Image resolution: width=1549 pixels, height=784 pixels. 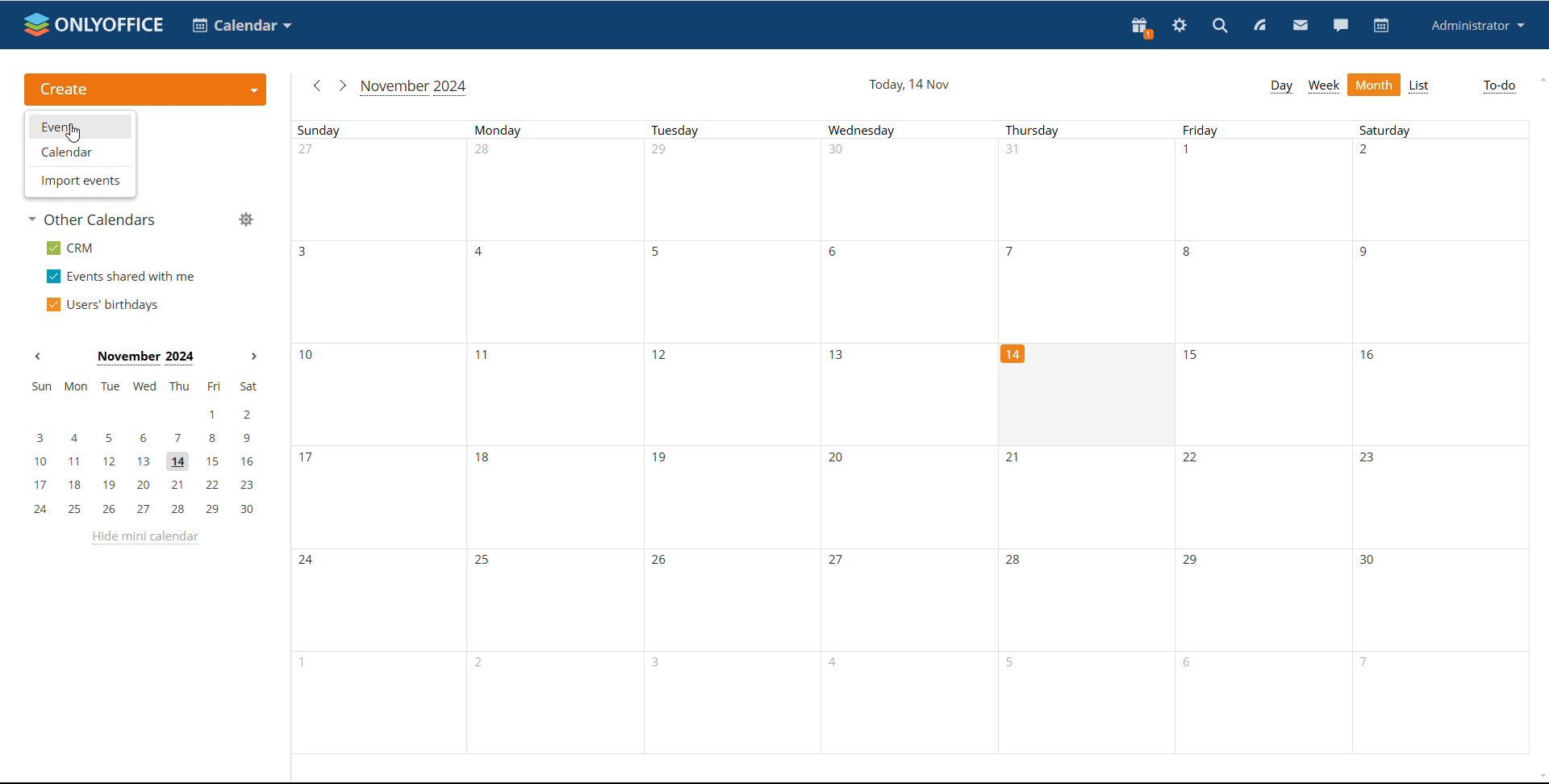 I want to click on Days of the week, so click(x=919, y=133).